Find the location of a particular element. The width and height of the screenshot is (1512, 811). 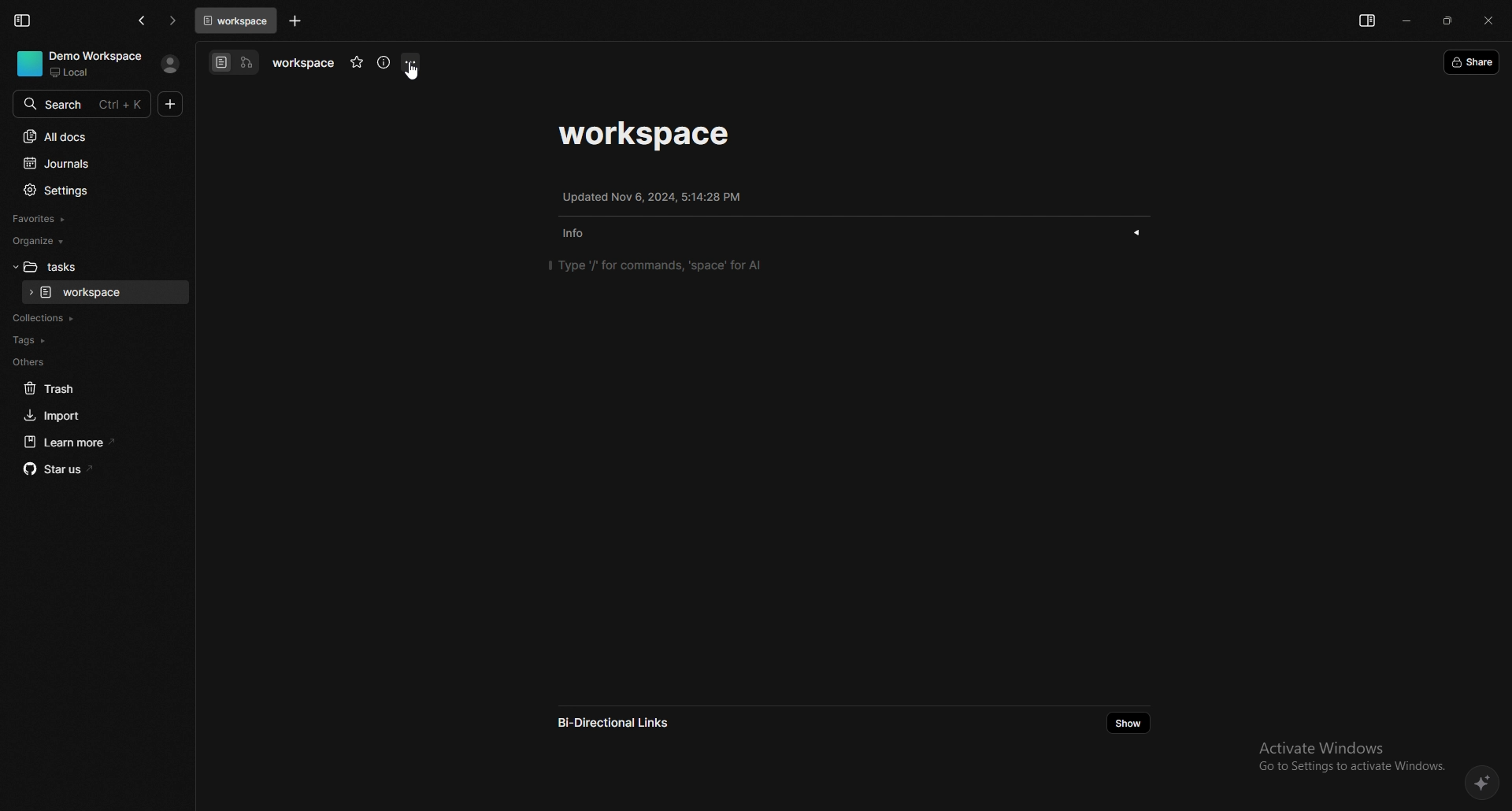

show is located at coordinates (1127, 723).